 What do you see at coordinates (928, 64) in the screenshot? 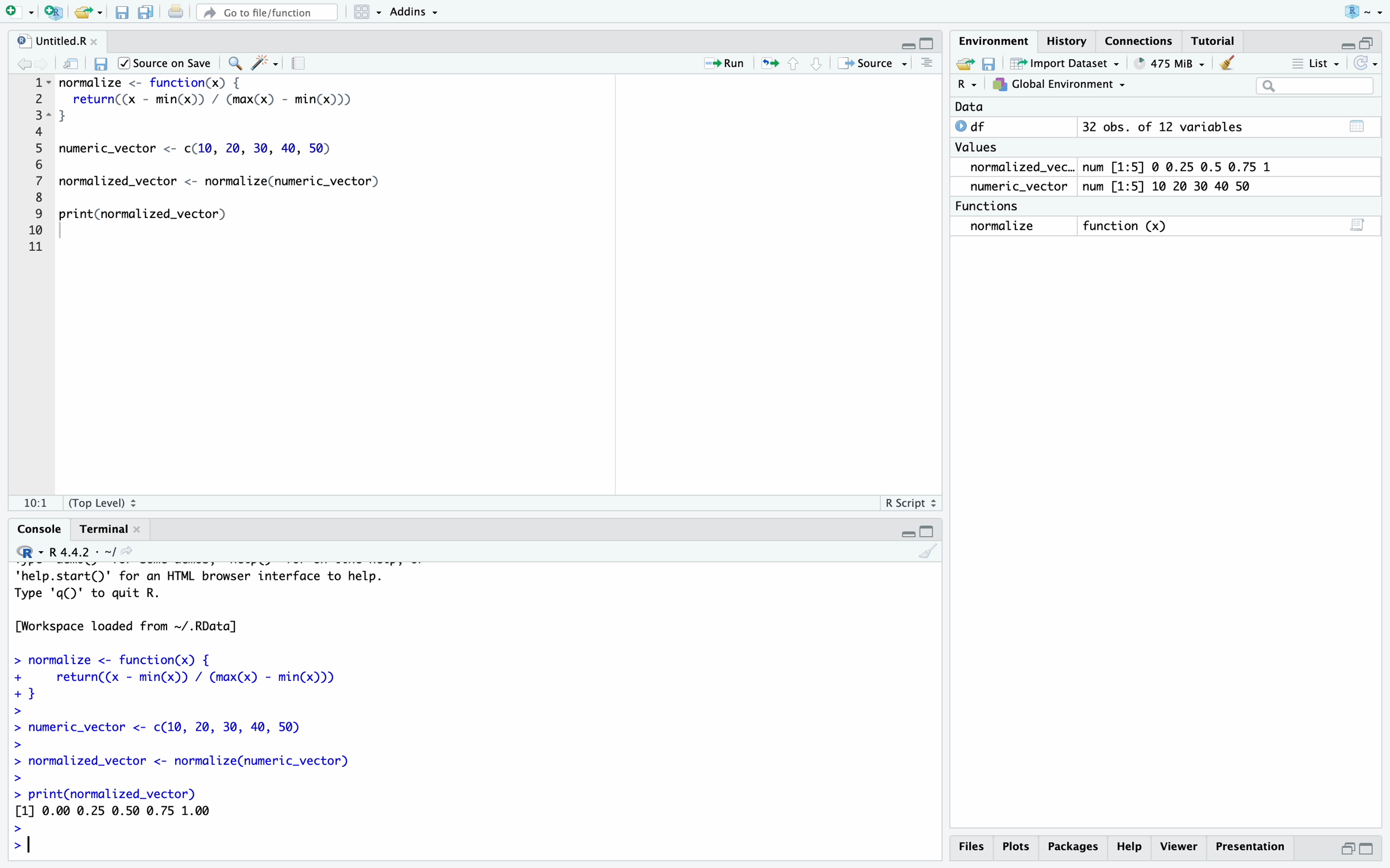
I see `Show document outline (Ctrl + Shift + O)` at bounding box center [928, 64].